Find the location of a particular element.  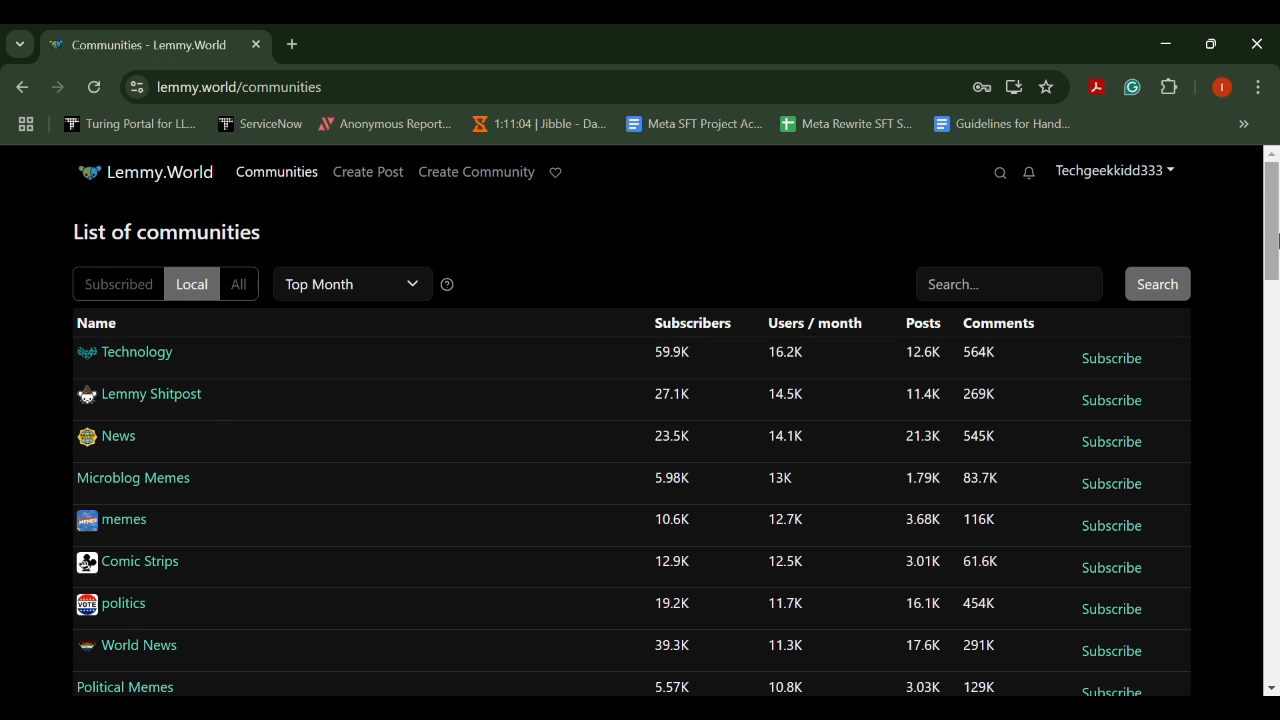

23.5K is located at coordinates (670, 437).